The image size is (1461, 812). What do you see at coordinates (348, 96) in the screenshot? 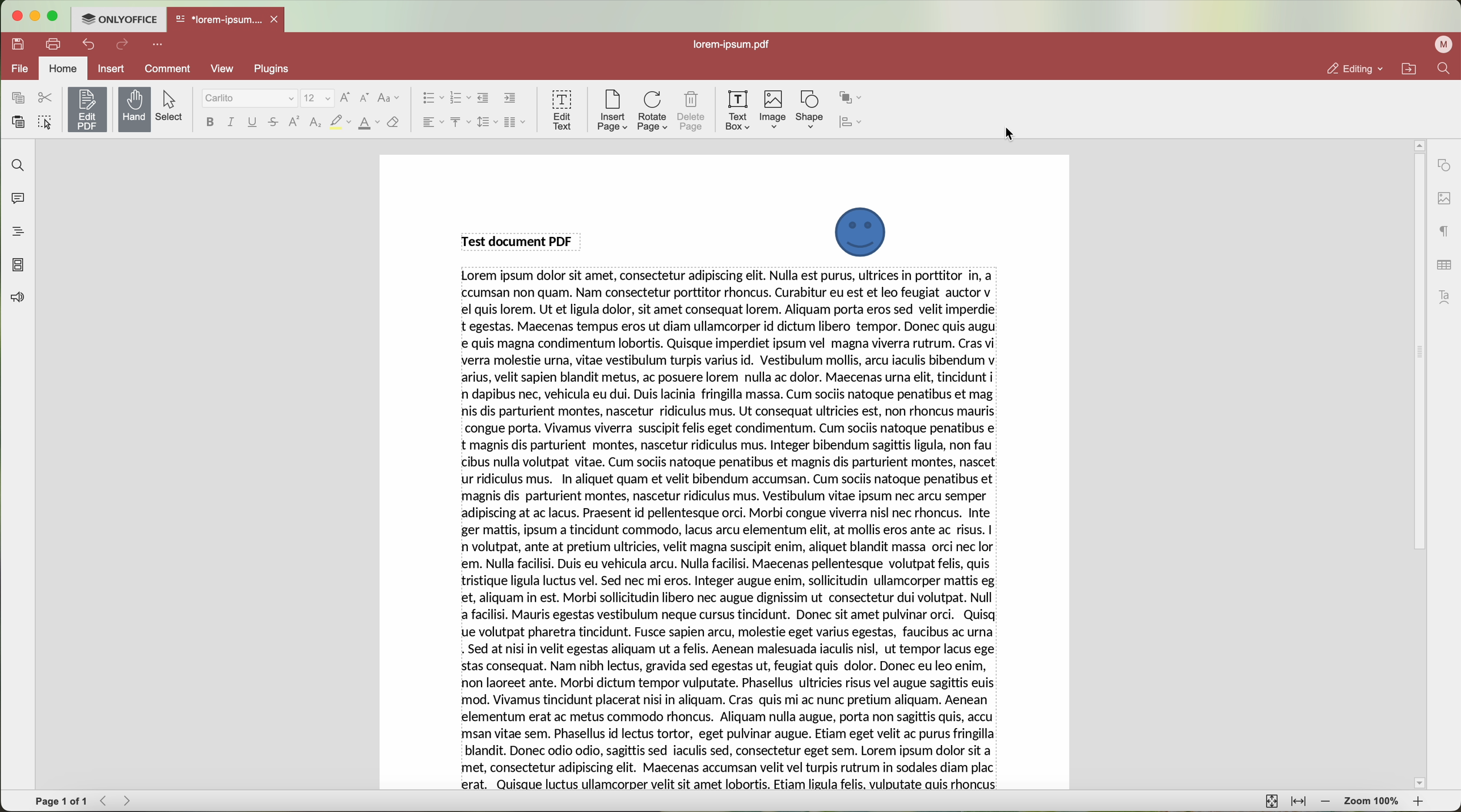
I see `increment font size` at bounding box center [348, 96].